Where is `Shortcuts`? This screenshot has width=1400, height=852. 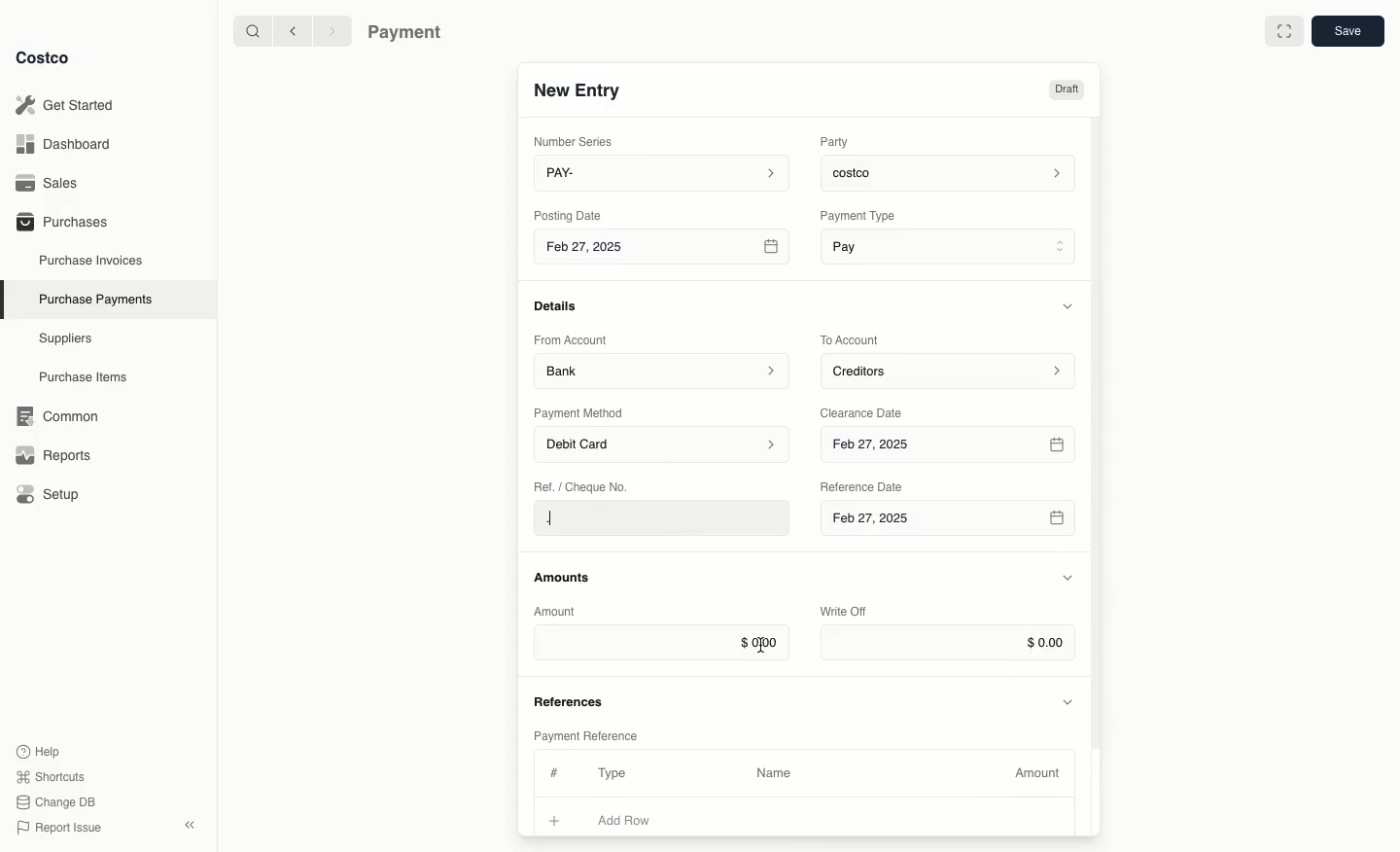 Shortcuts is located at coordinates (50, 775).